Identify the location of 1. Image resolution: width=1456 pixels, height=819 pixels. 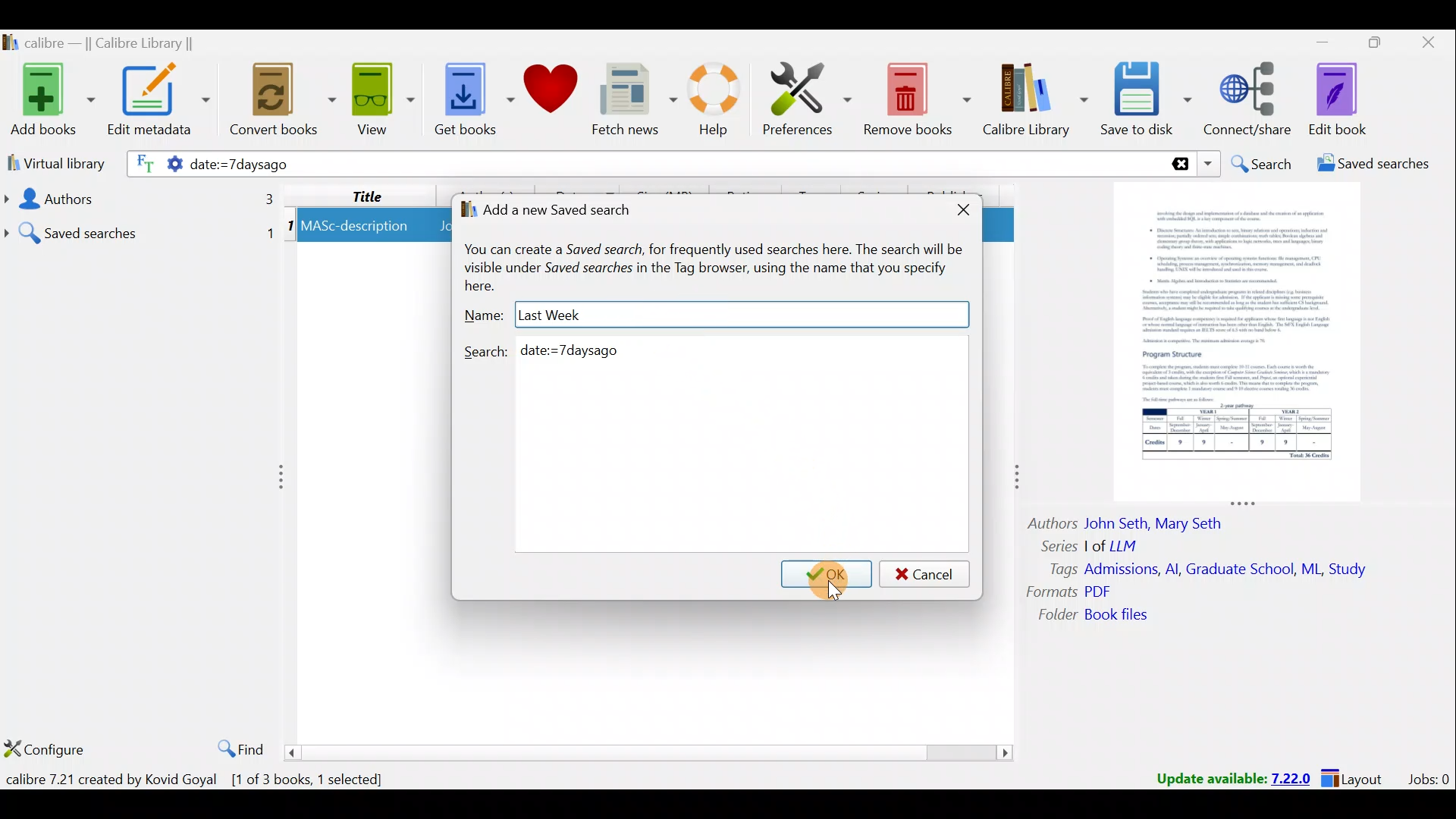
(290, 228).